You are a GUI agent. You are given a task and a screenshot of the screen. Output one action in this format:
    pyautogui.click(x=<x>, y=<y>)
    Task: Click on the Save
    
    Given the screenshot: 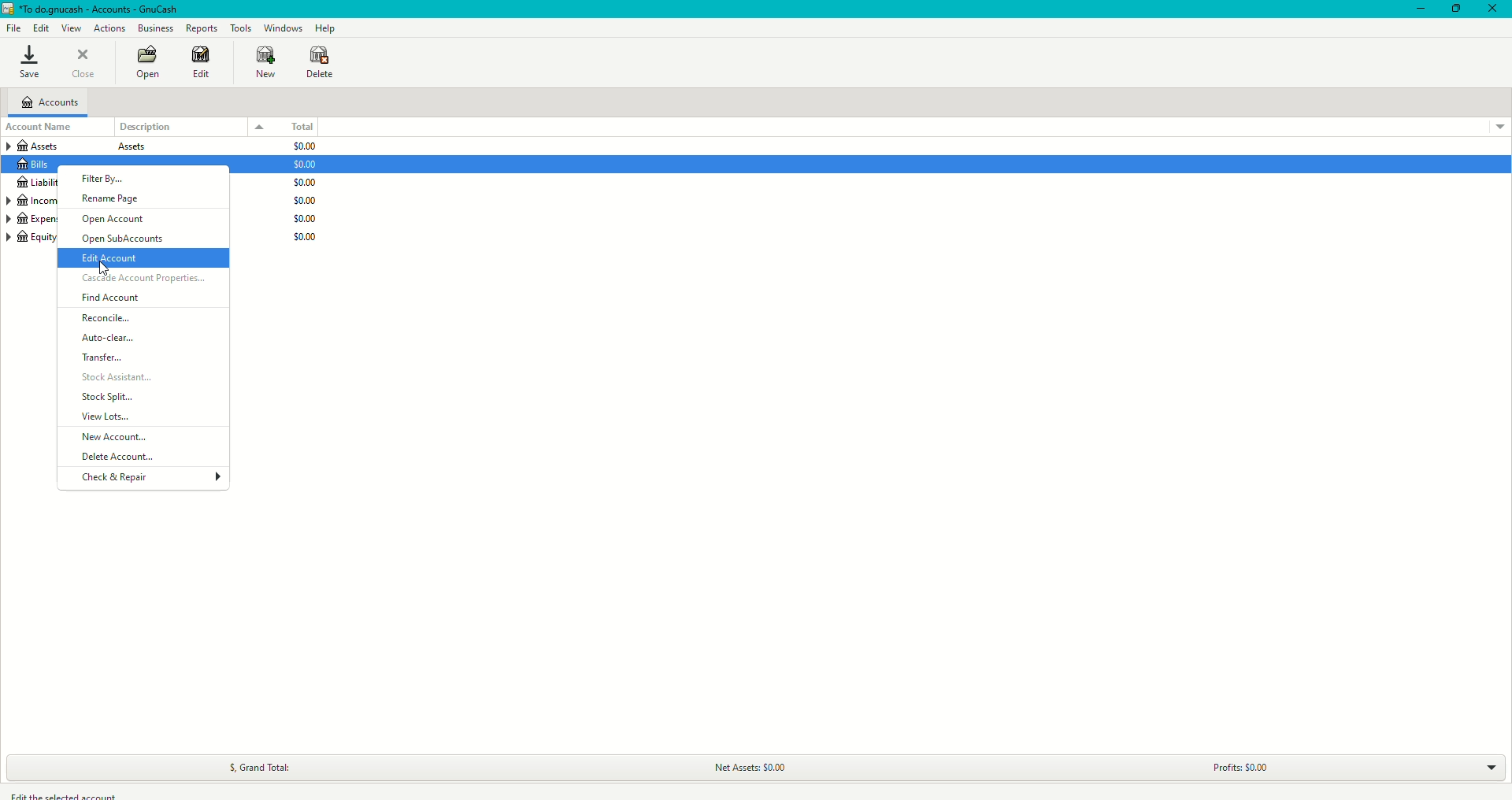 What is the action you would take?
    pyautogui.click(x=28, y=65)
    